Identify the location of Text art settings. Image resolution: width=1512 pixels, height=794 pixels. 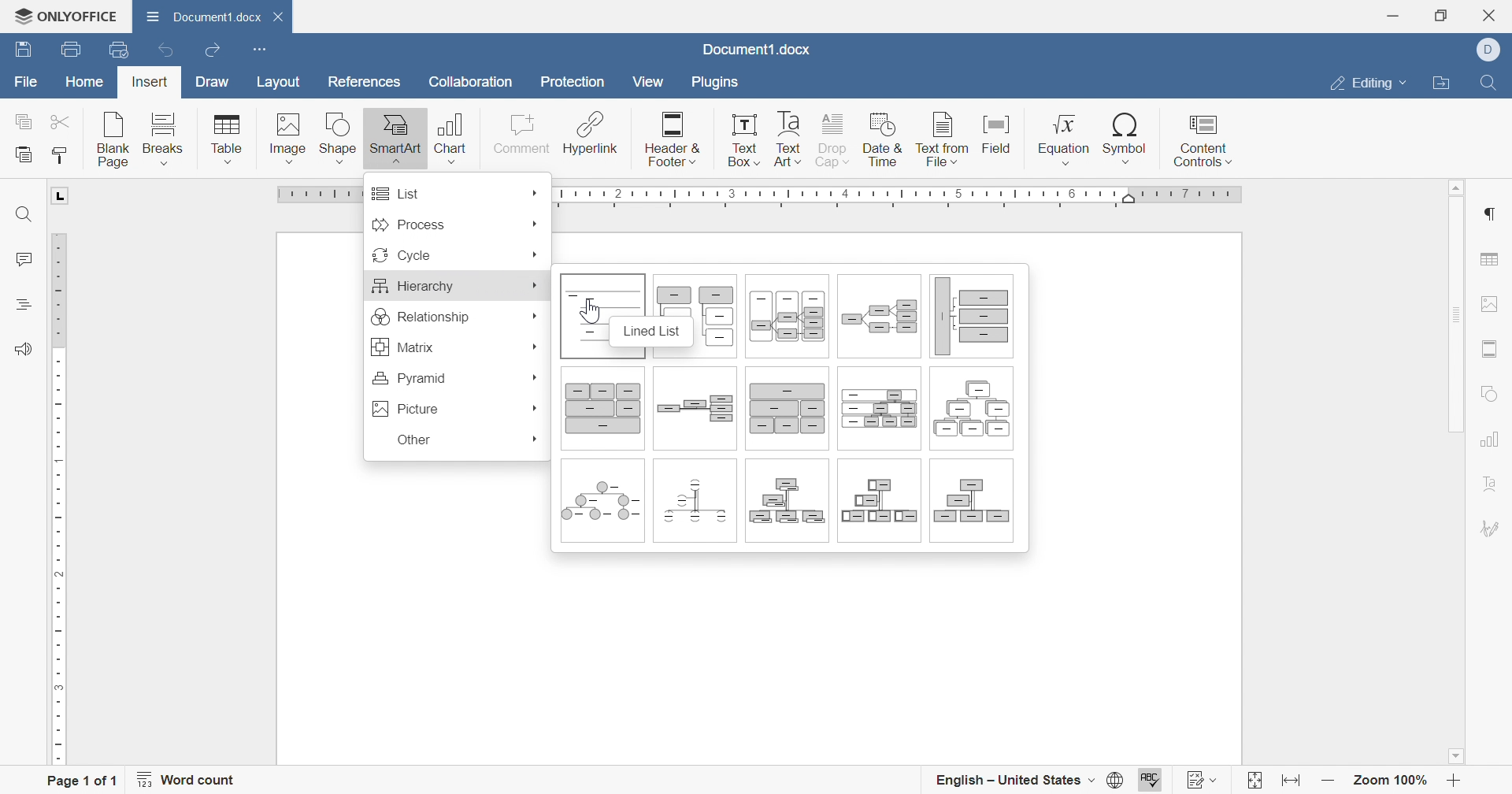
(1491, 487).